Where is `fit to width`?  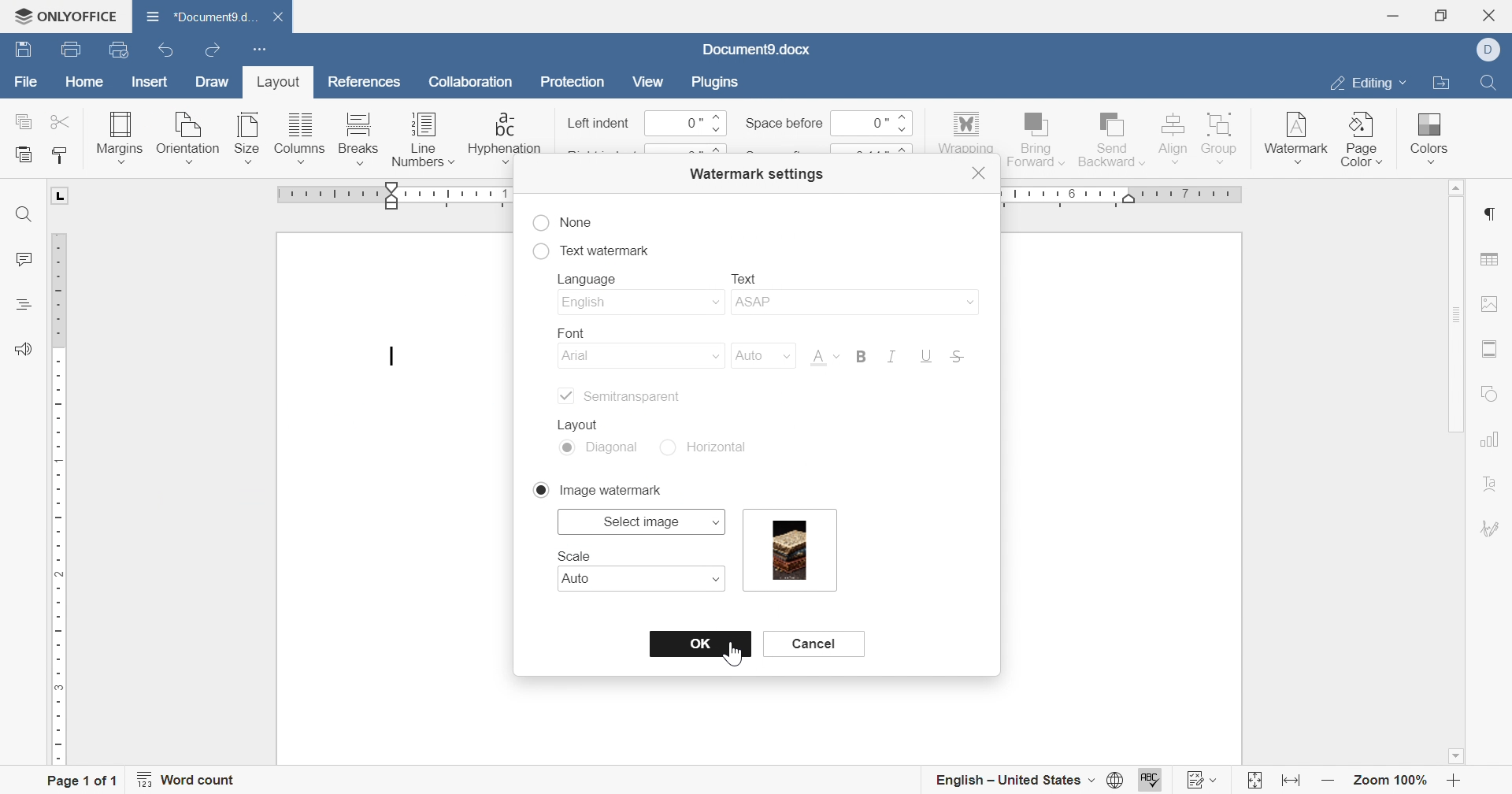 fit to width is located at coordinates (1288, 784).